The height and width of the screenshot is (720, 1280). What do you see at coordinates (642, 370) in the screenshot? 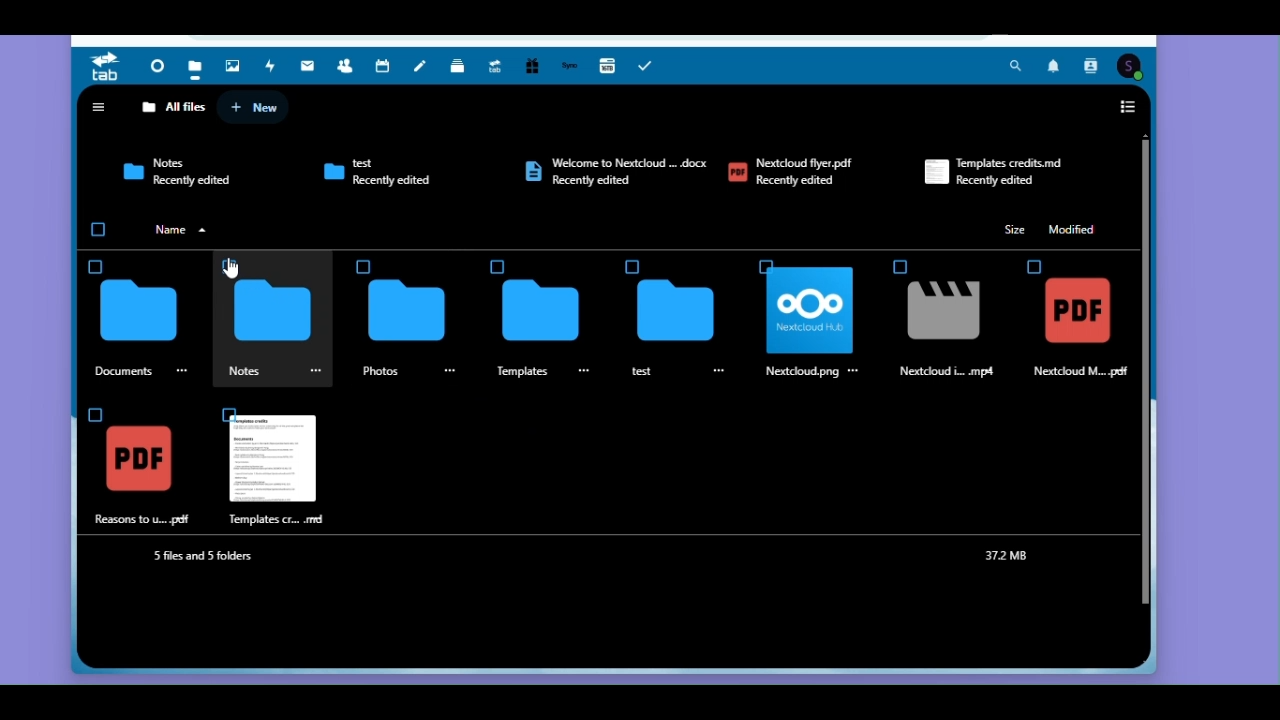
I see `test` at bounding box center [642, 370].